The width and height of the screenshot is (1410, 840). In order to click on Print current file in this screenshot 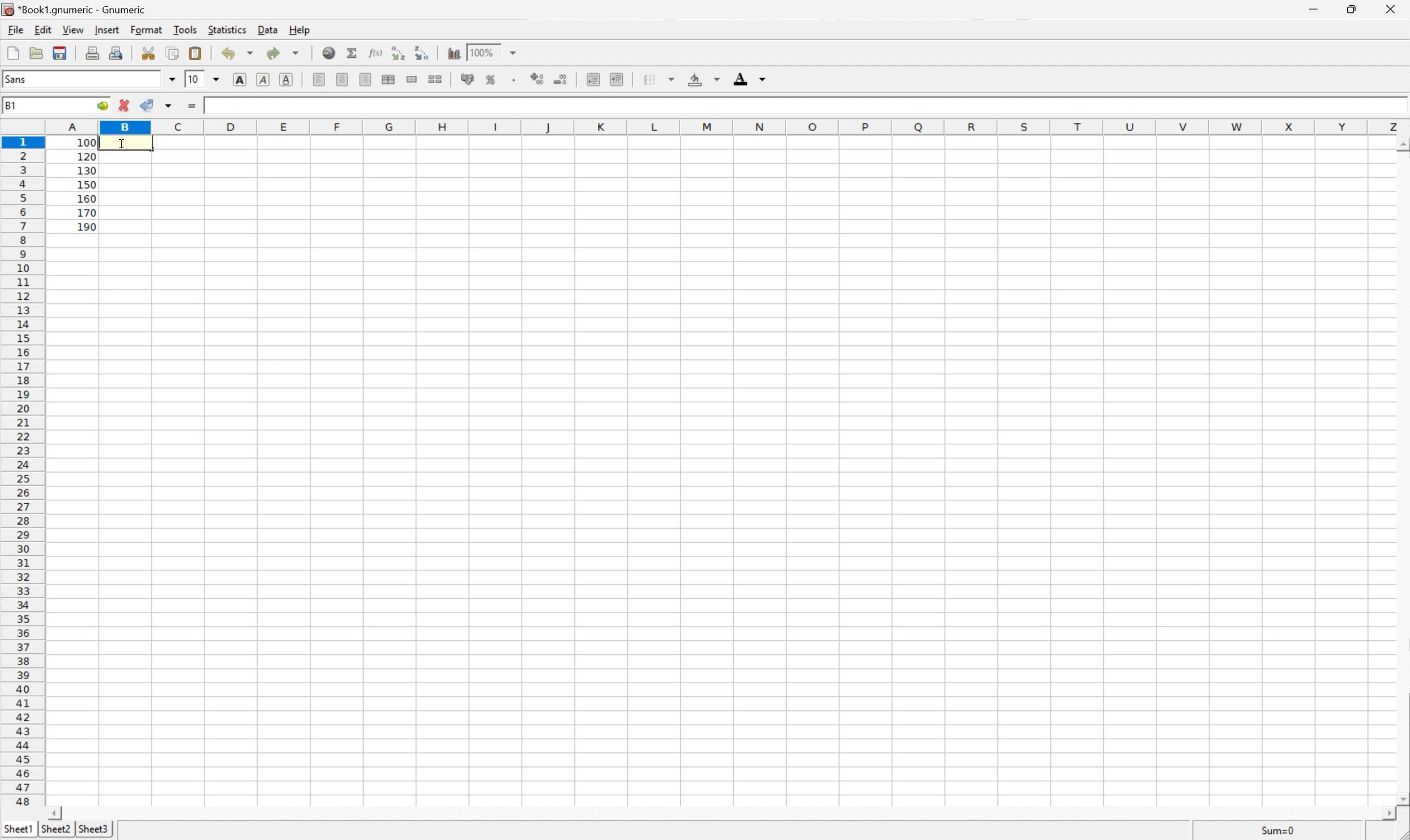, I will do `click(93, 52)`.